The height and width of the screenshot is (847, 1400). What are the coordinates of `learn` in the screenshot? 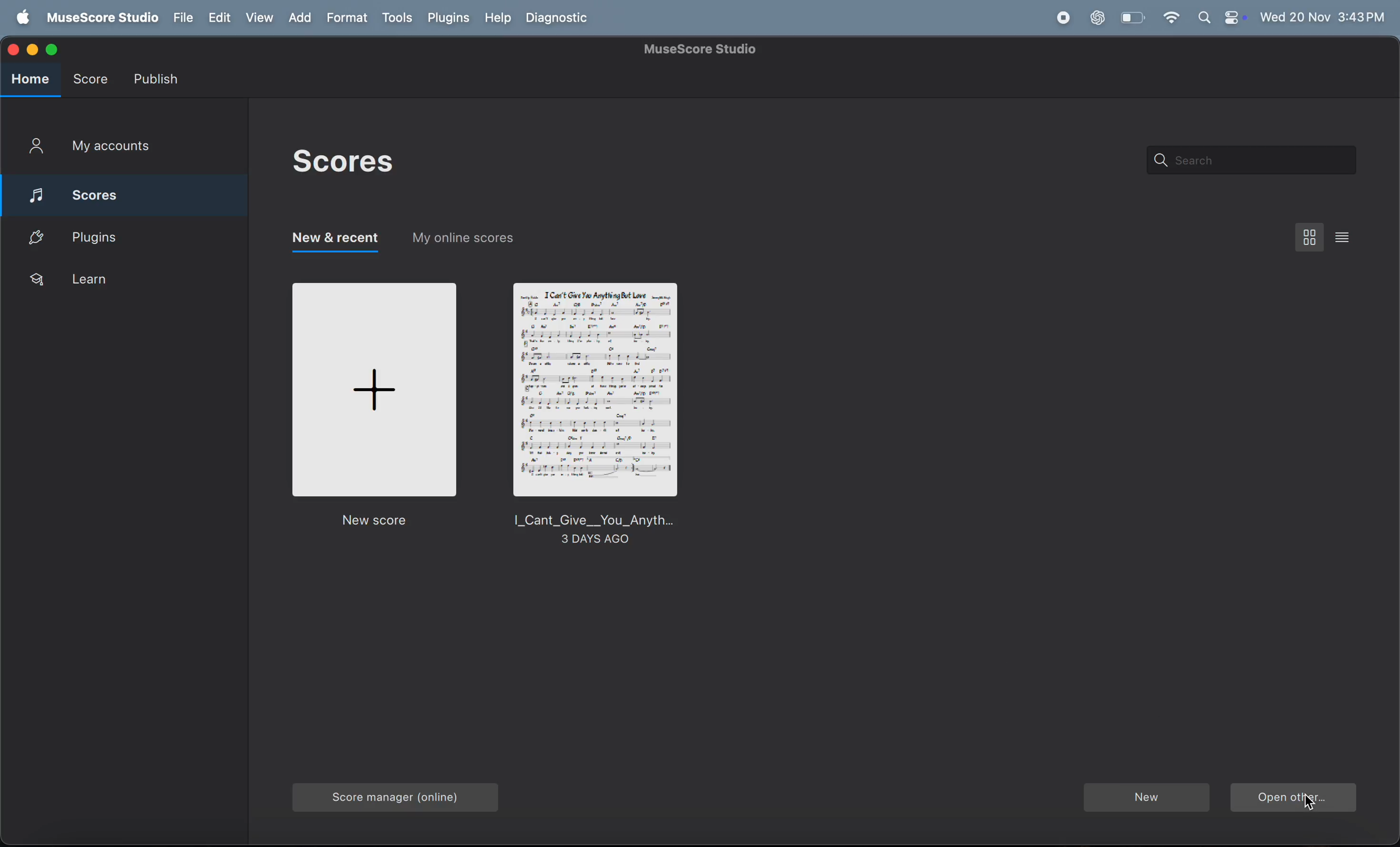 It's located at (116, 283).